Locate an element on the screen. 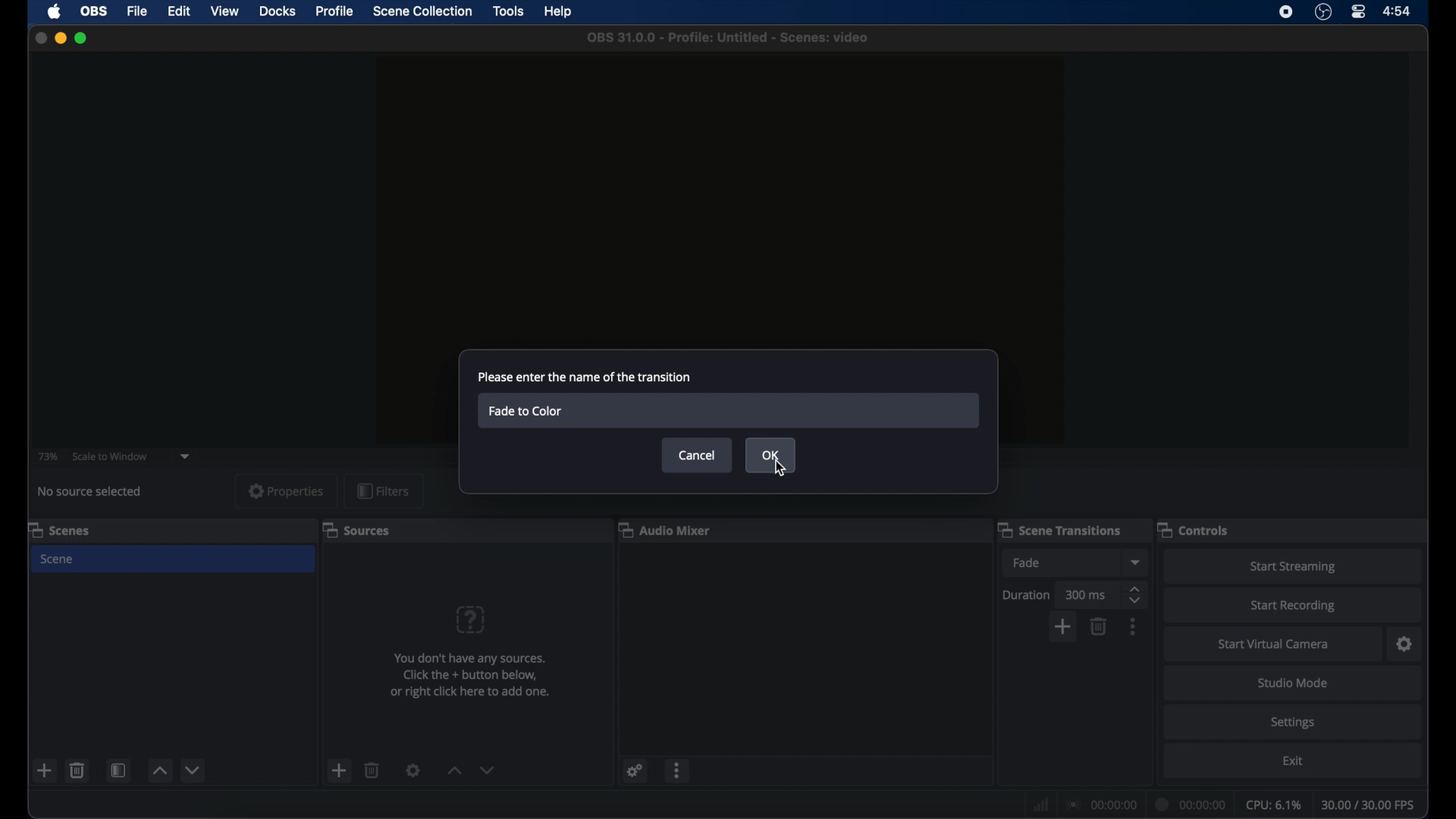  delete is located at coordinates (77, 770).